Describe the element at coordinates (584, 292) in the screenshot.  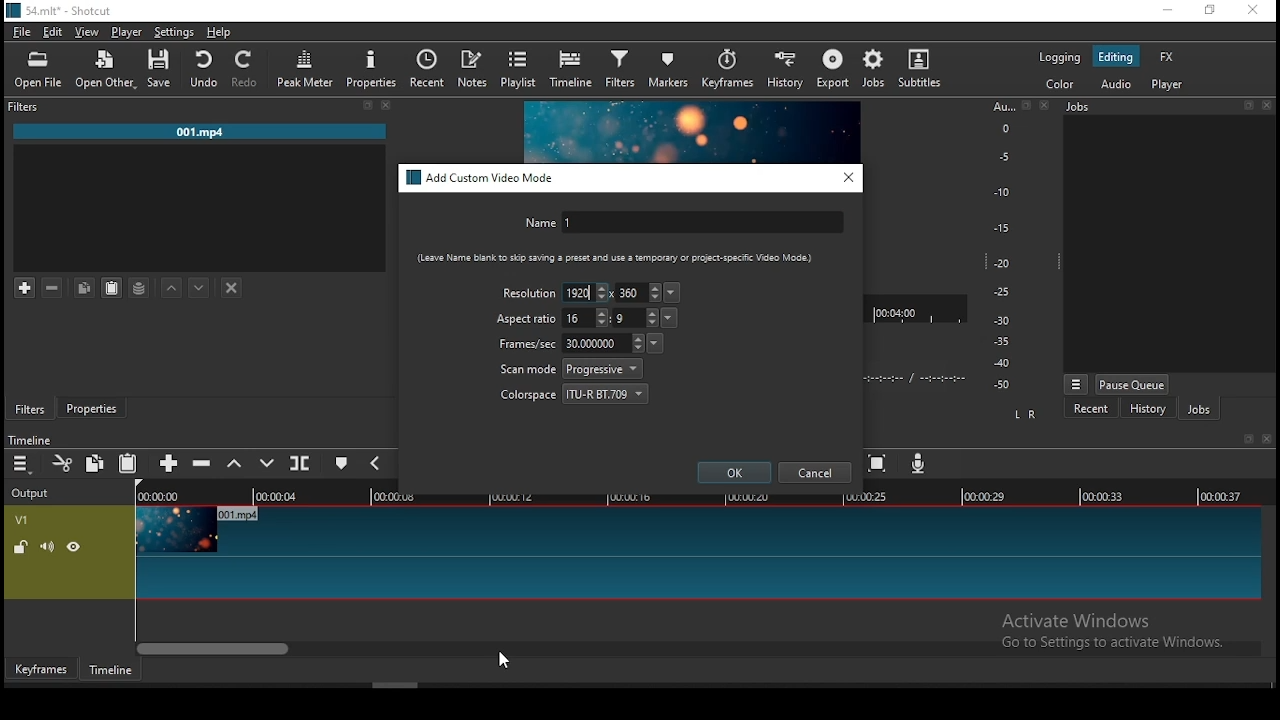
I see `width` at that location.